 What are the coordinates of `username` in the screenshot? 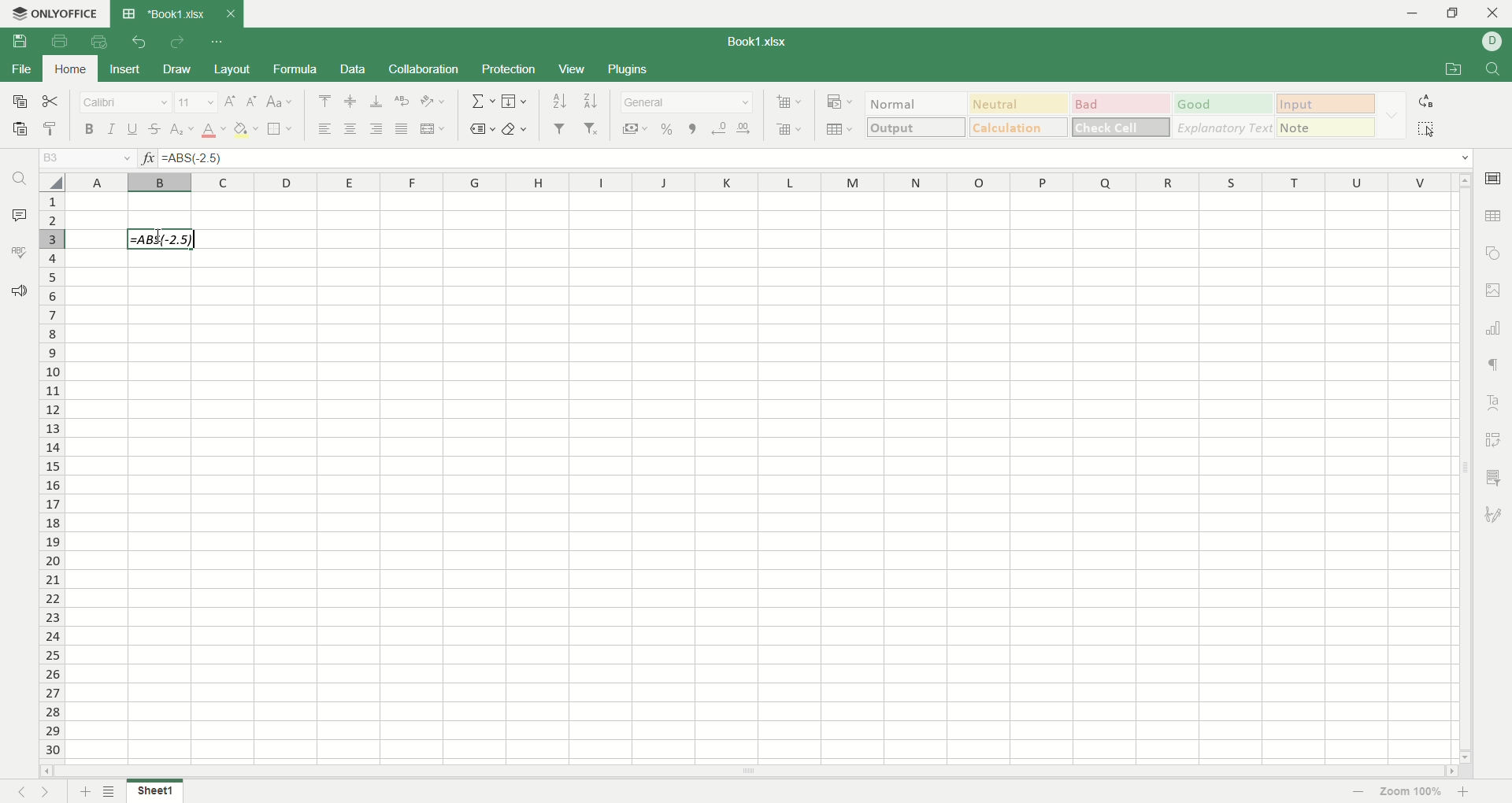 It's located at (1493, 42).